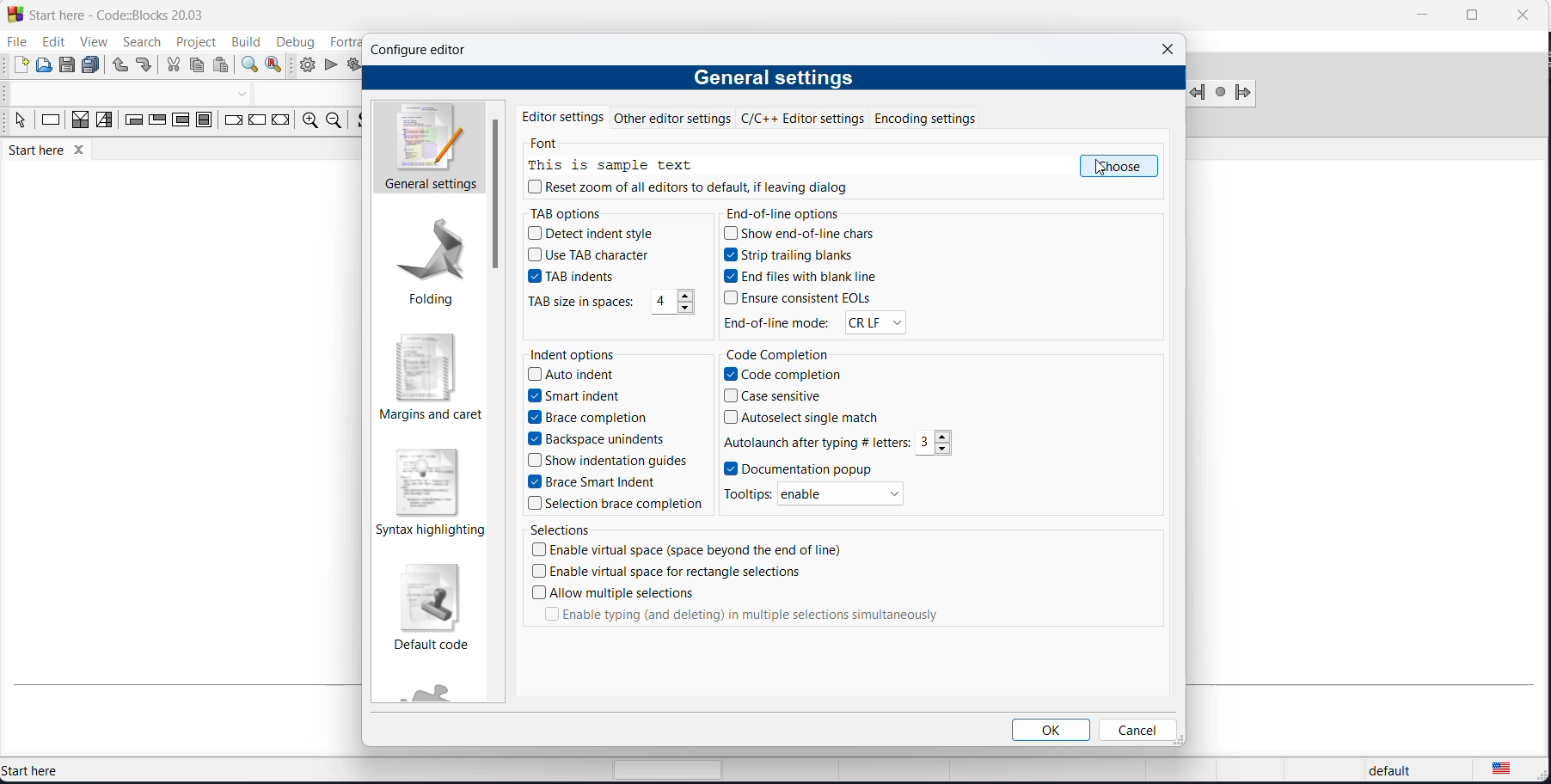 The image size is (1551, 784). Describe the element at coordinates (426, 266) in the screenshot. I see `folding` at that location.